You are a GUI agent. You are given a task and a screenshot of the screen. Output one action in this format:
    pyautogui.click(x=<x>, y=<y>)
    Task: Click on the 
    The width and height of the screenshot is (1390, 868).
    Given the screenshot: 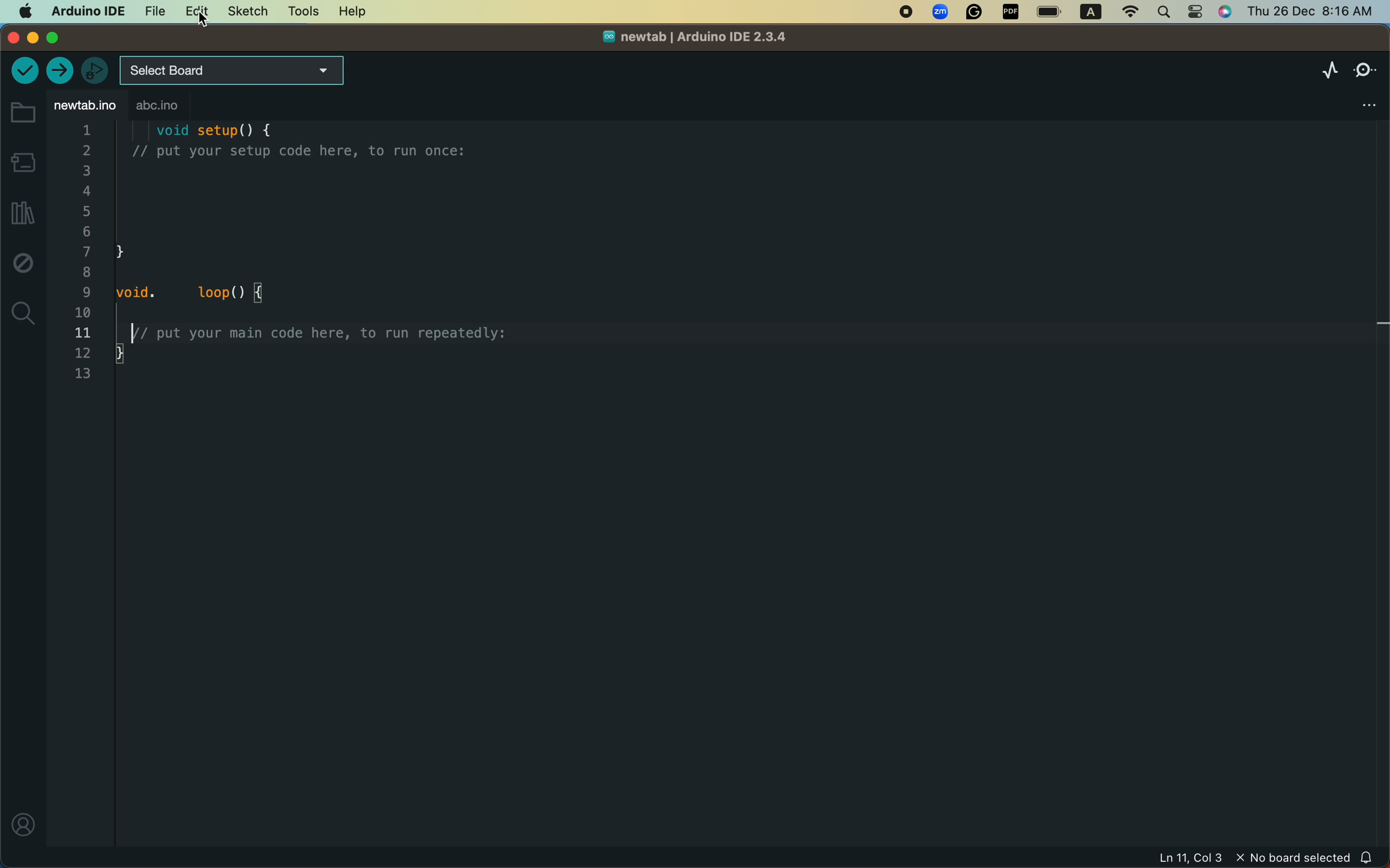 What is the action you would take?
    pyautogui.click(x=1011, y=13)
    